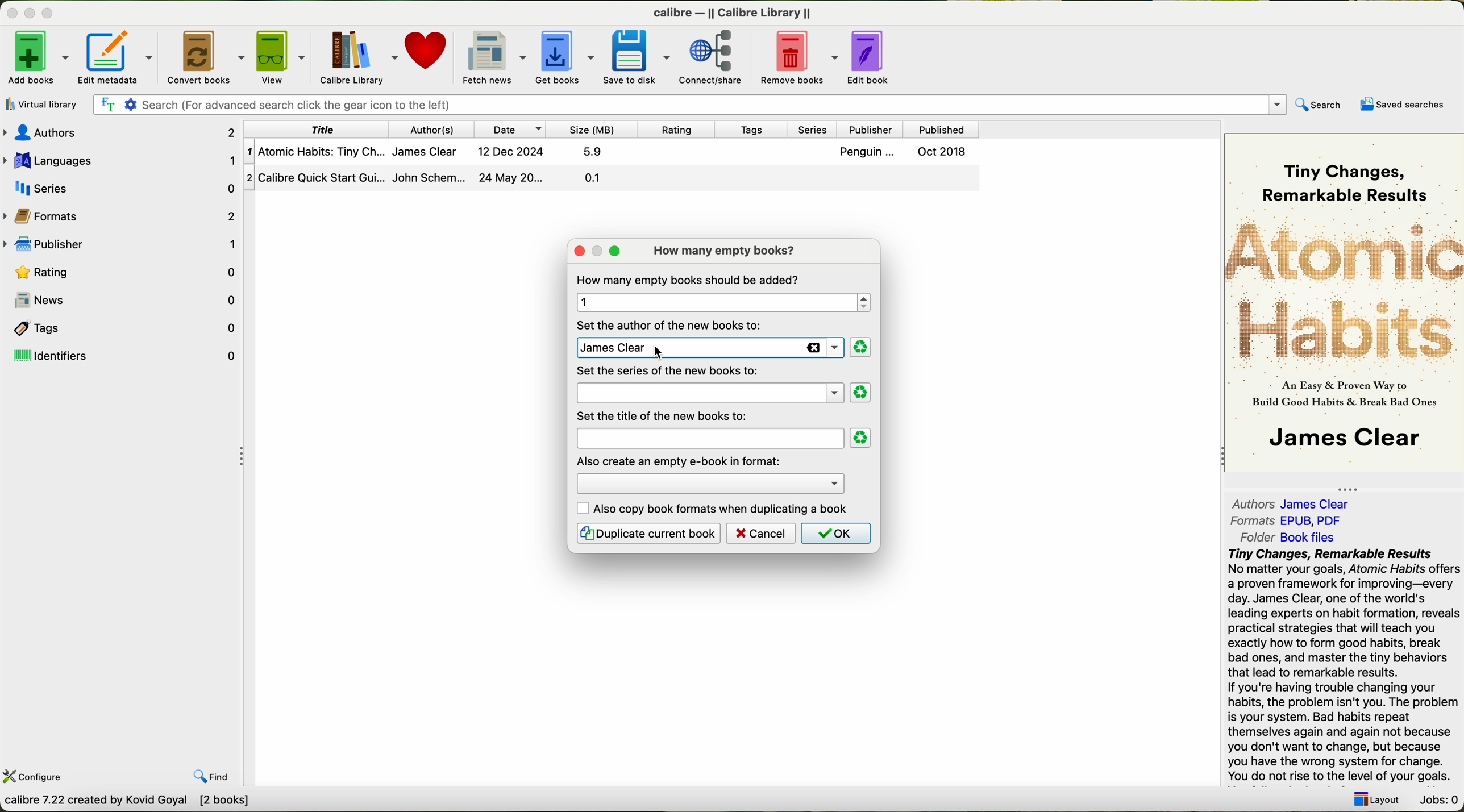 The height and width of the screenshot is (812, 1464). I want to click on configure, so click(35, 777).